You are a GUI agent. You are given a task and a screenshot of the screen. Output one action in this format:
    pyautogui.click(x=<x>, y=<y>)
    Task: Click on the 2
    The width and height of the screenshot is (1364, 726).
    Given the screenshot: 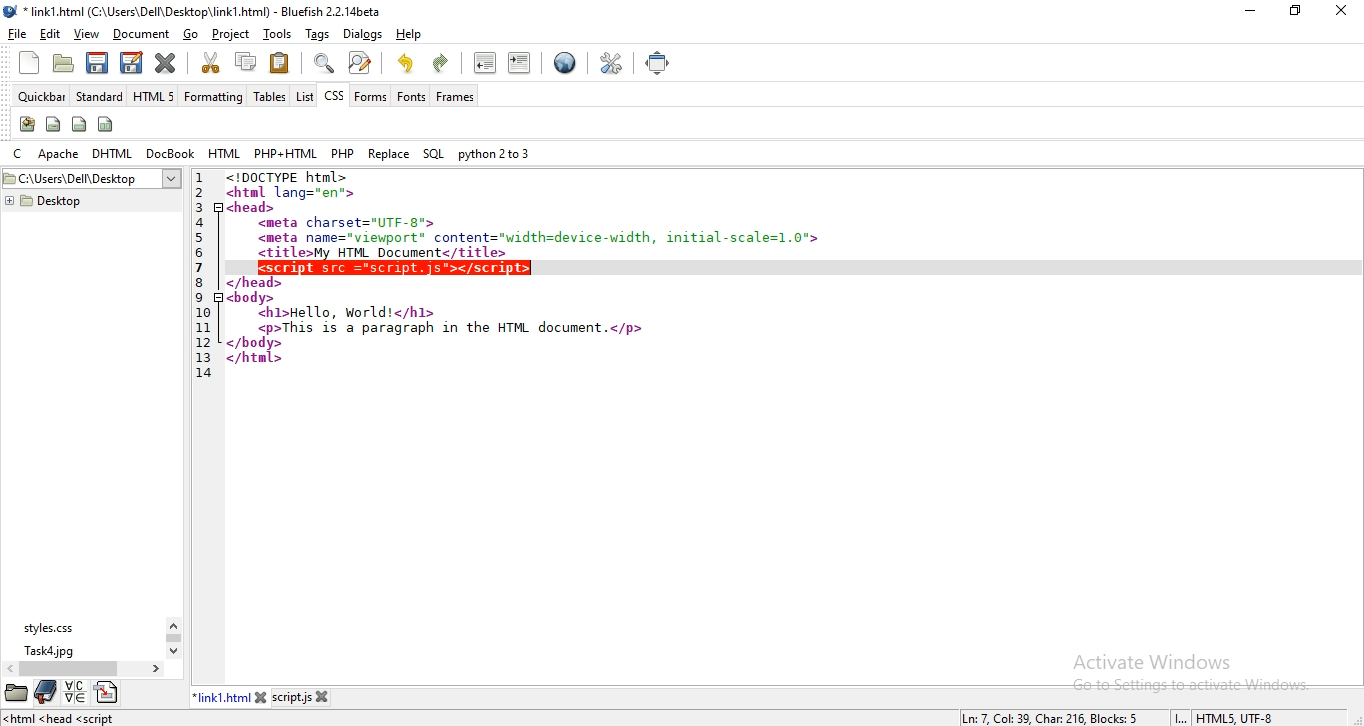 What is the action you would take?
    pyautogui.click(x=199, y=193)
    